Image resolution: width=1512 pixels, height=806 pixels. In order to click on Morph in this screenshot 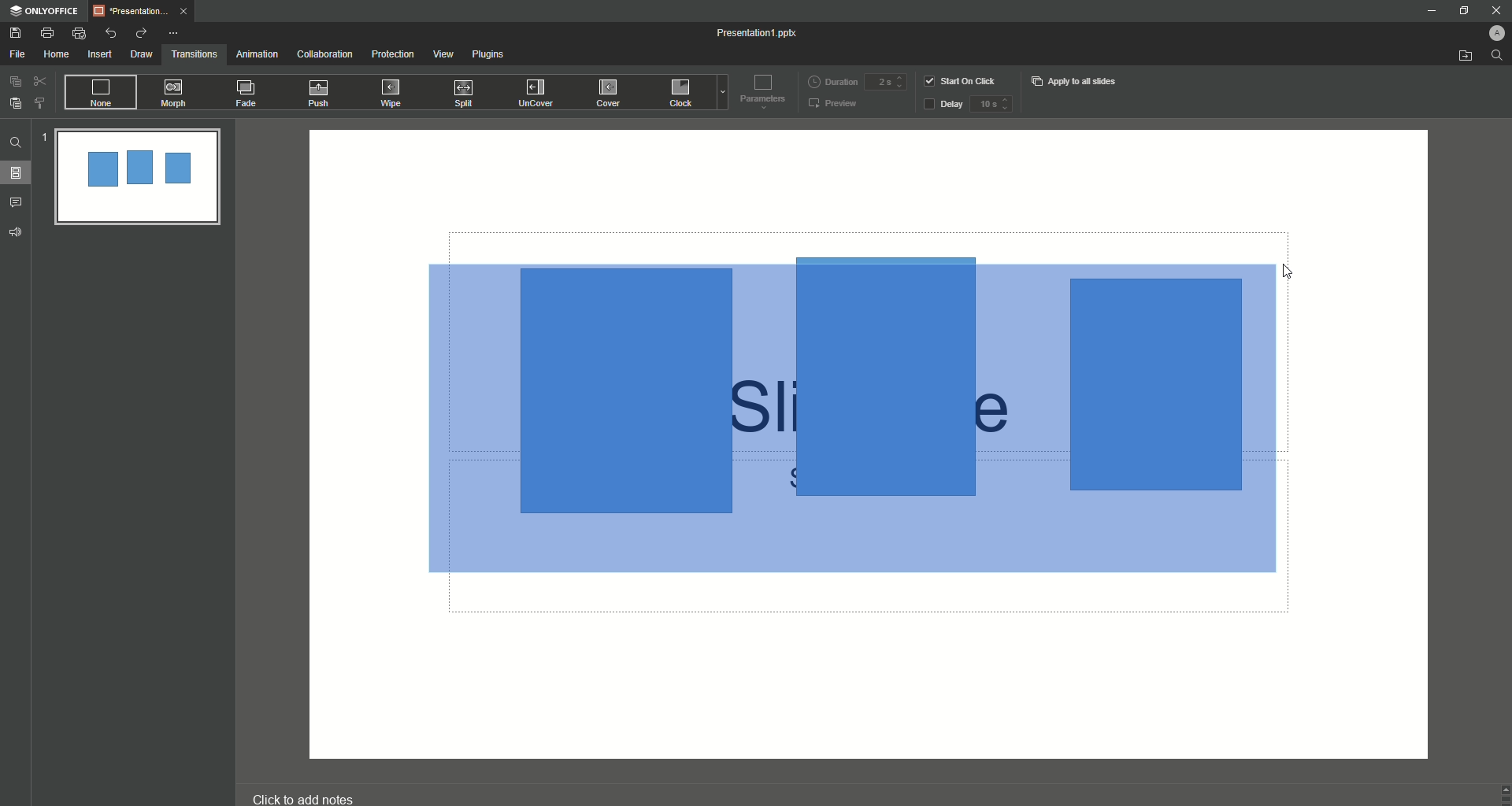, I will do `click(176, 93)`.